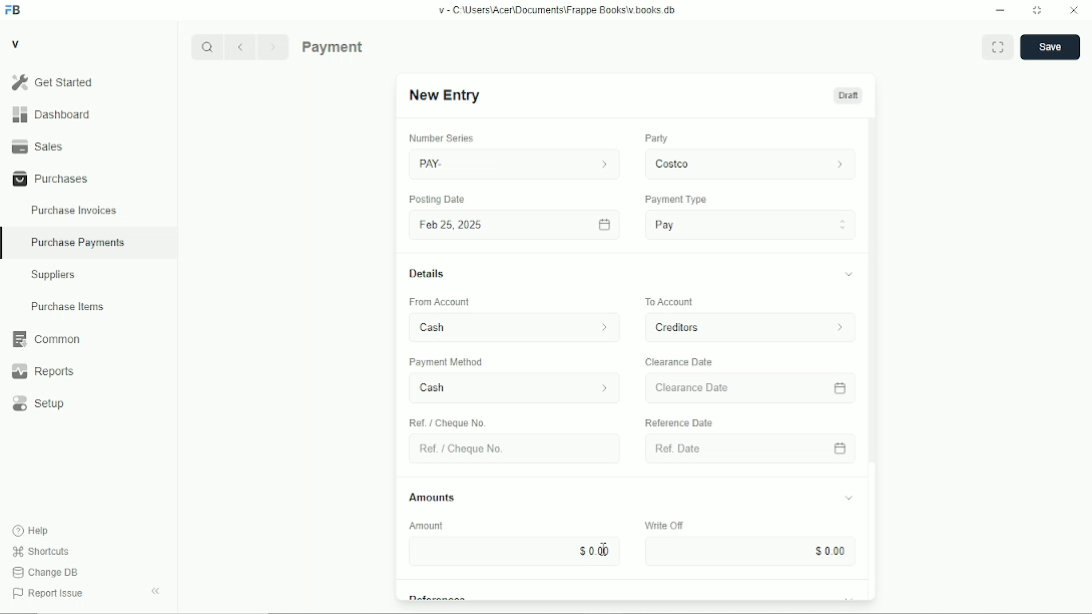  Describe the element at coordinates (682, 422) in the screenshot. I see `‘Reference Date` at that location.